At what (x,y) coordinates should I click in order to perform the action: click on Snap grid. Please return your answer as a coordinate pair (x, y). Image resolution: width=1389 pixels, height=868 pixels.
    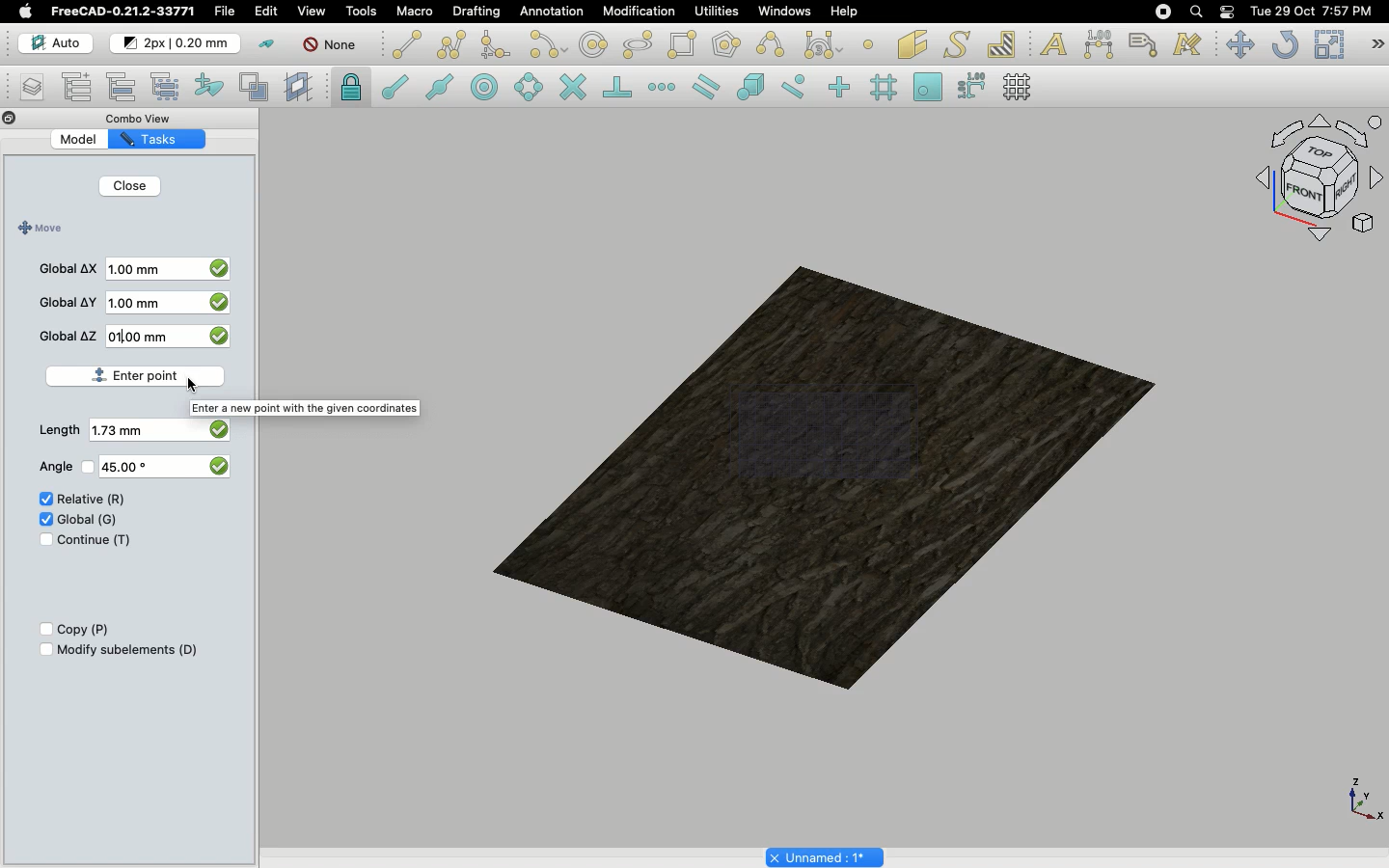
    Looking at the image, I should click on (885, 88).